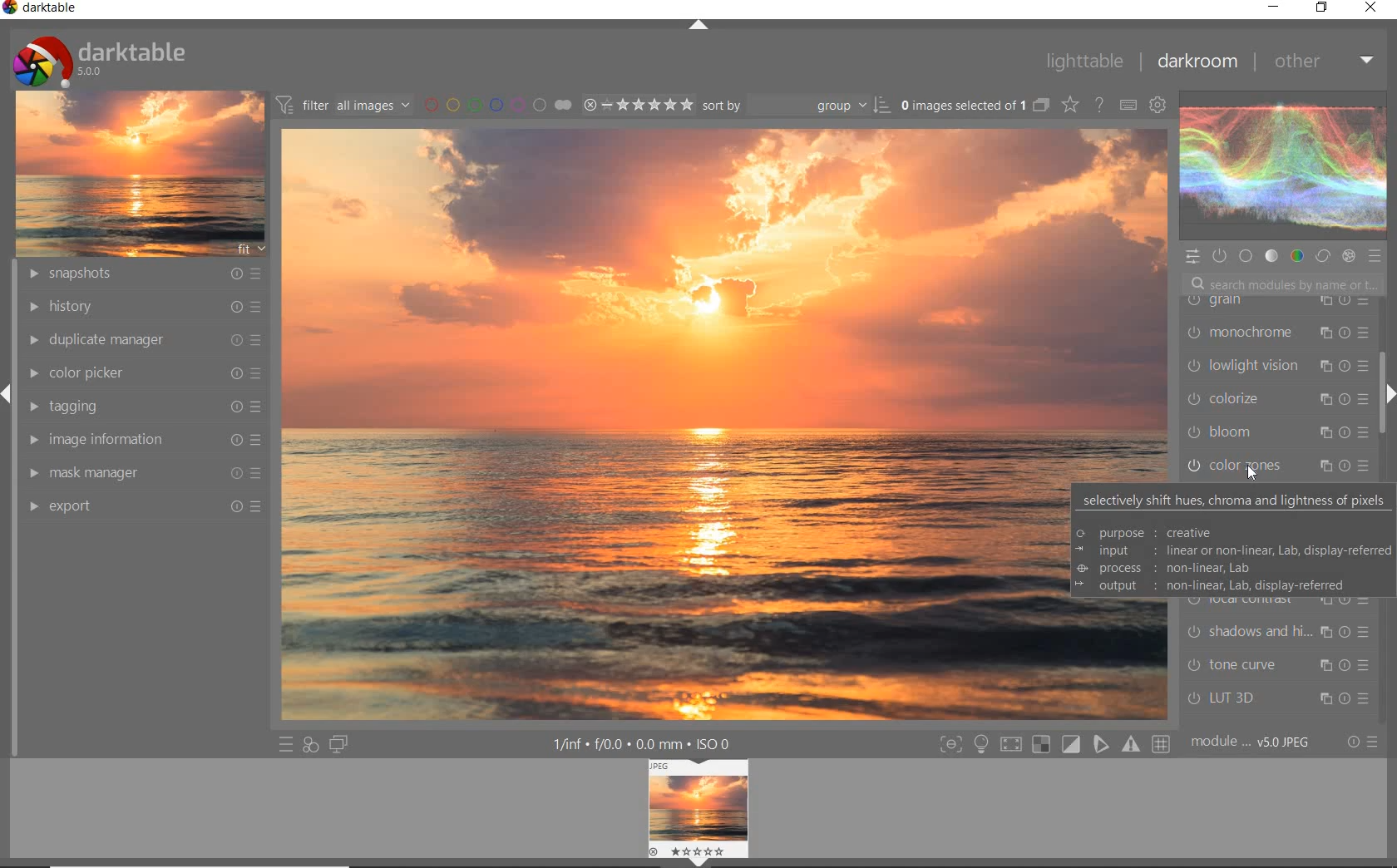 The height and width of the screenshot is (868, 1397). Describe the element at coordinates (146, 439) in the screenshot. I see `IMAGE INFORMATION` at that location.